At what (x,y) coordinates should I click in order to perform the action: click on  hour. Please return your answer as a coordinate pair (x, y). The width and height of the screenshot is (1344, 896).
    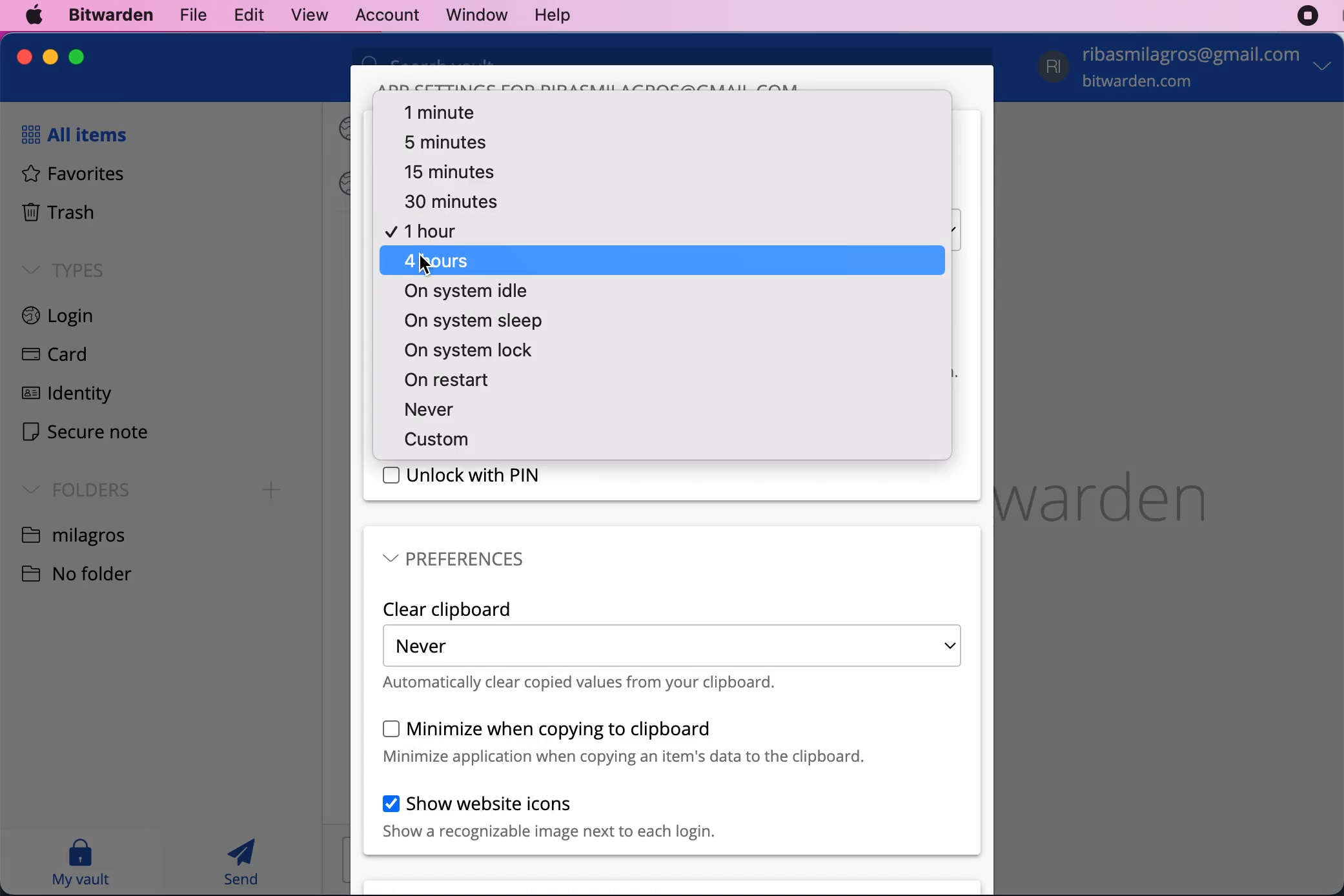
    Looking at the image, I should click on (429, 230).